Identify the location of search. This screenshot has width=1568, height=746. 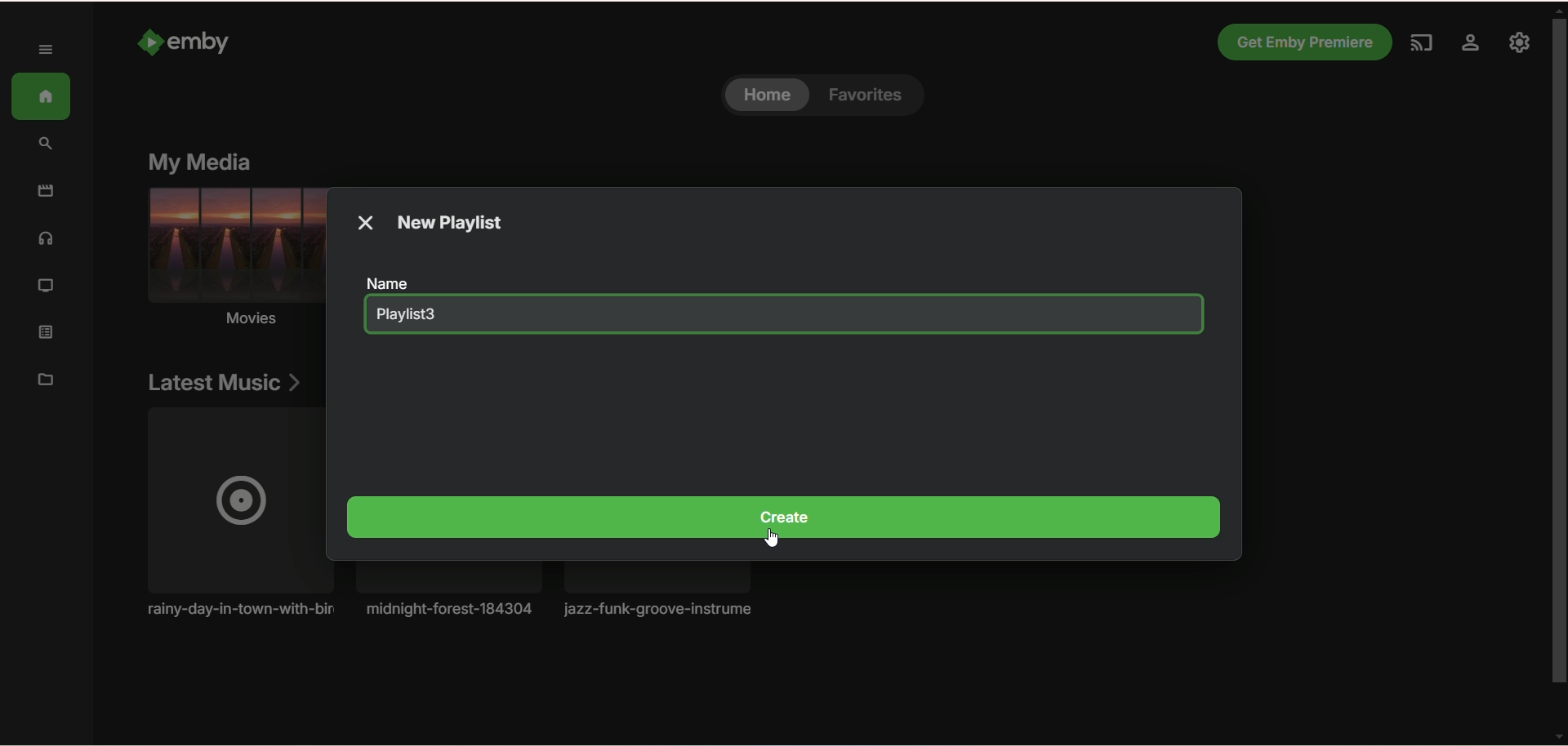
(48, 144).